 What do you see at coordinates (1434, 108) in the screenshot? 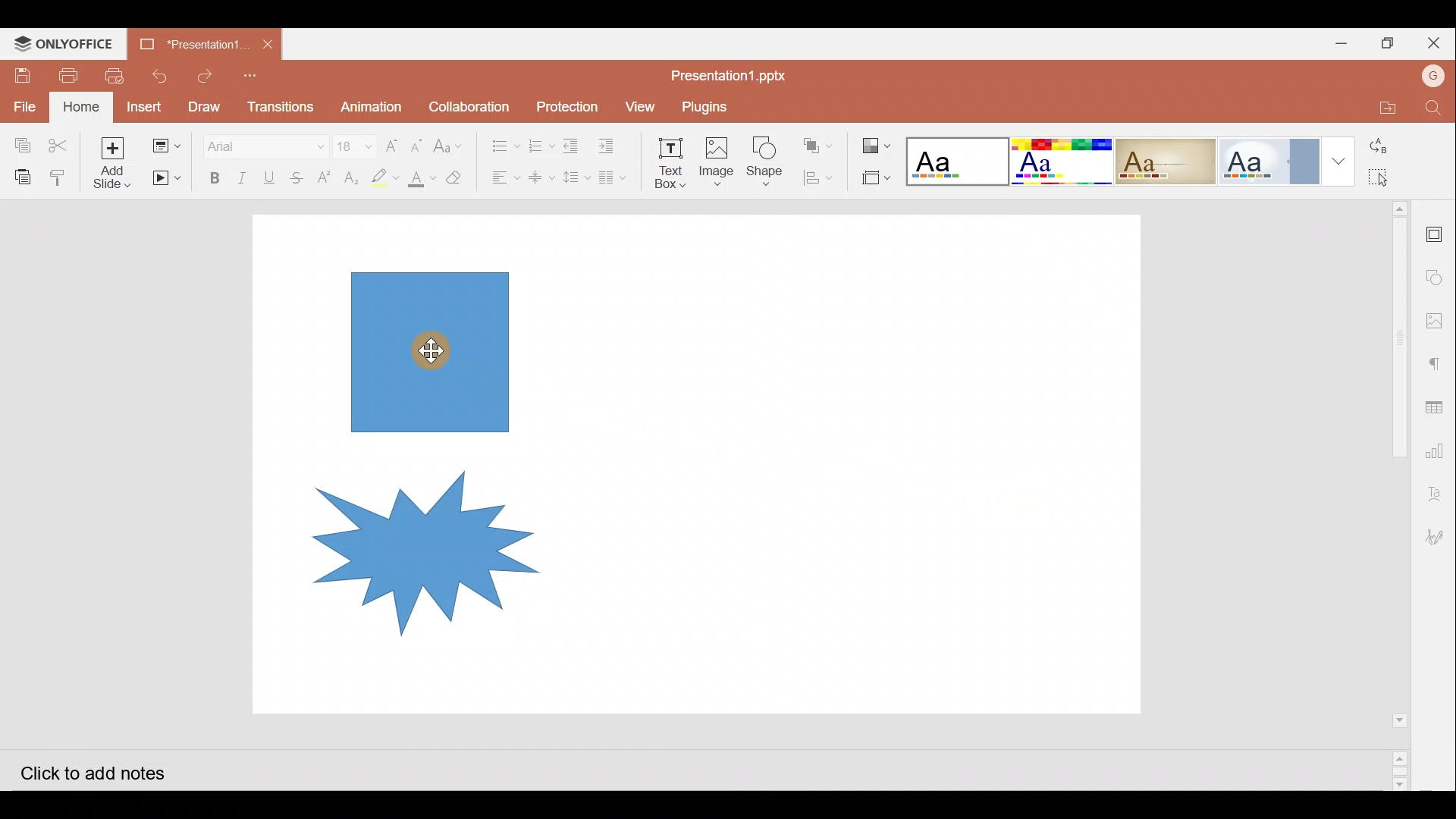
I see `Find` at bounding box center [1434, 108].